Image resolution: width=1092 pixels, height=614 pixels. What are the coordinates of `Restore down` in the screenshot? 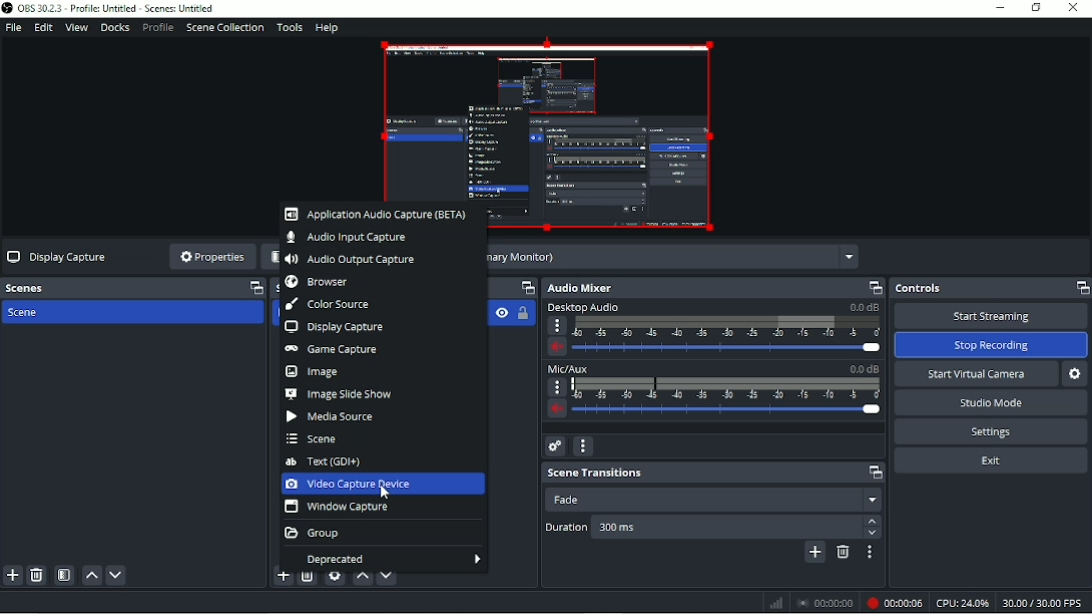 It's located at (1033, 8).